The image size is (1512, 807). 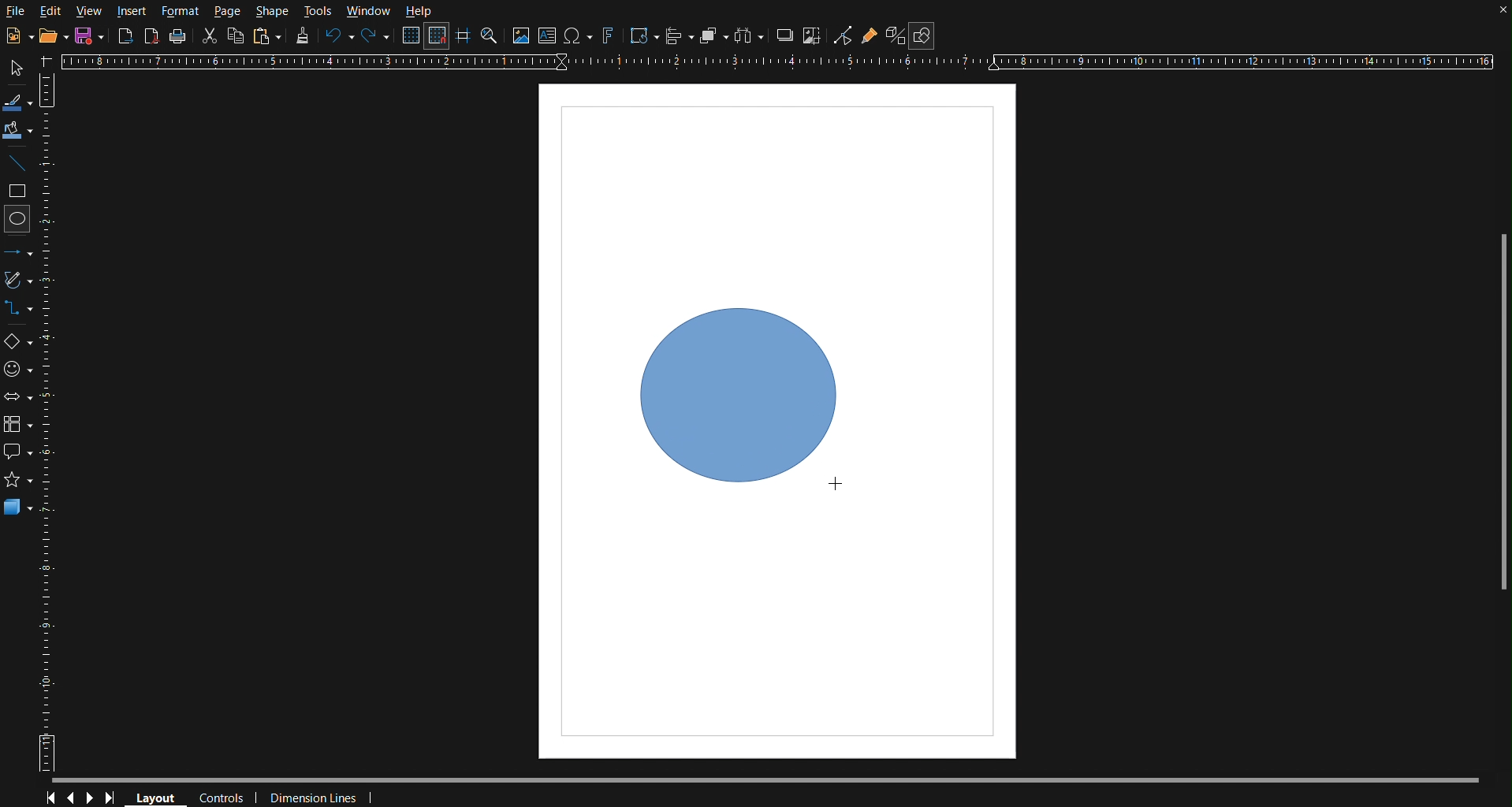 I want to click on Snap to Grid, so click(x=438, y=37).